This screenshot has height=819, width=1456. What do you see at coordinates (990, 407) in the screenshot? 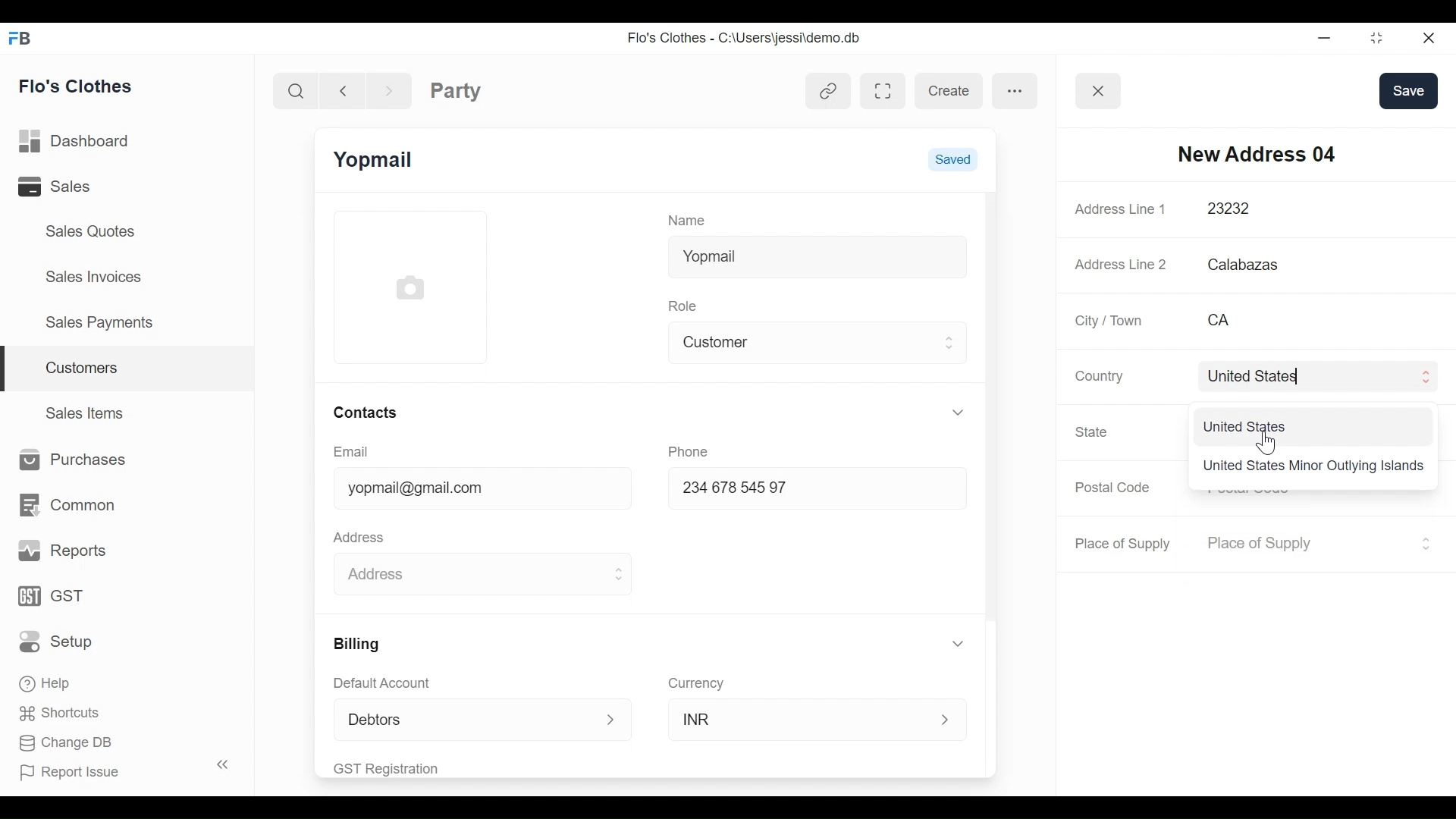
I see `Vertical Scroll bar` at bounding box center [990, 407].